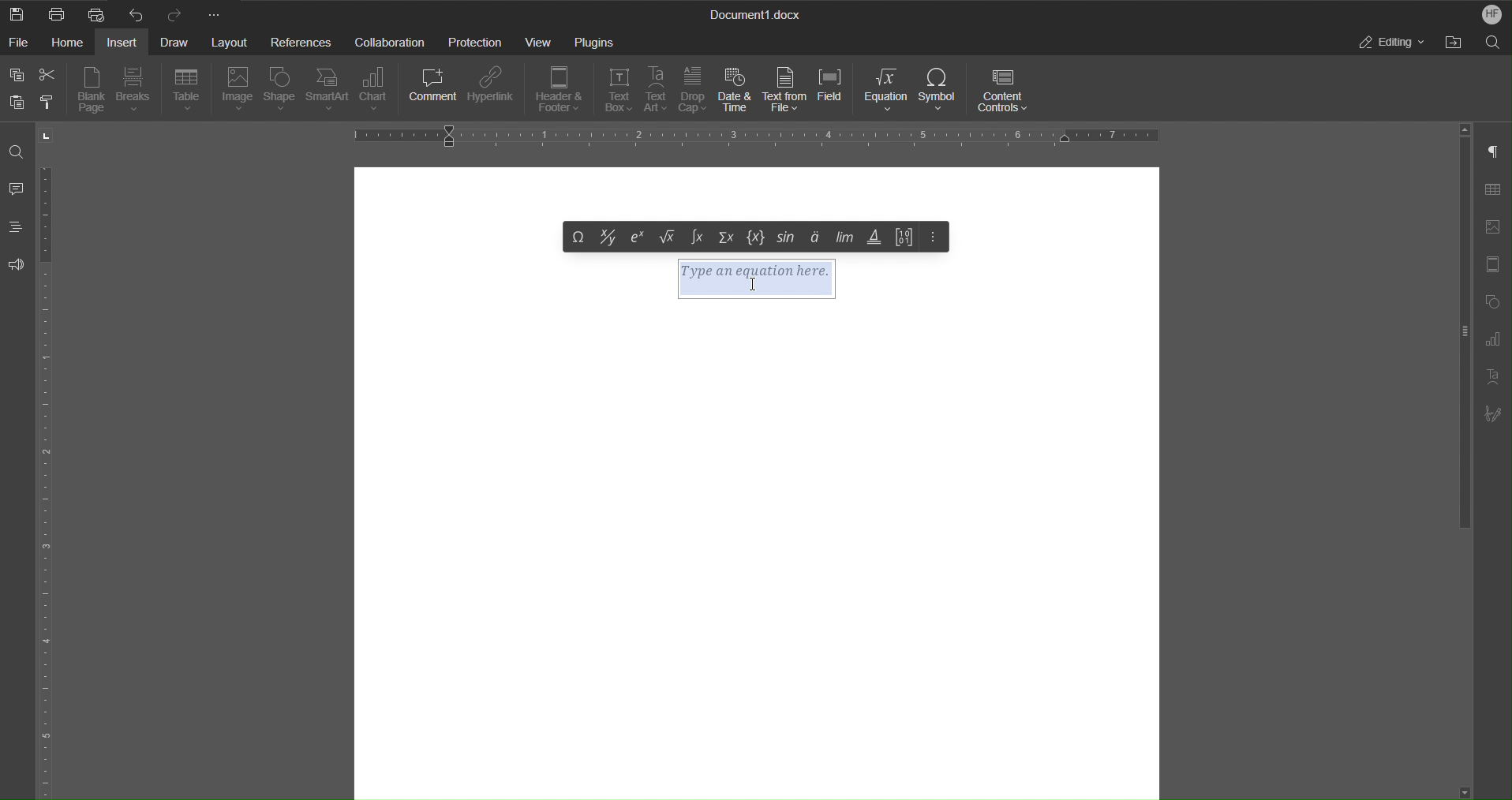 The width and height of the screenshot is (1512, 800). What do you see at coordinates (885, 88) in the screenshot?
I see `Equation` at bounding box center [885, 88].